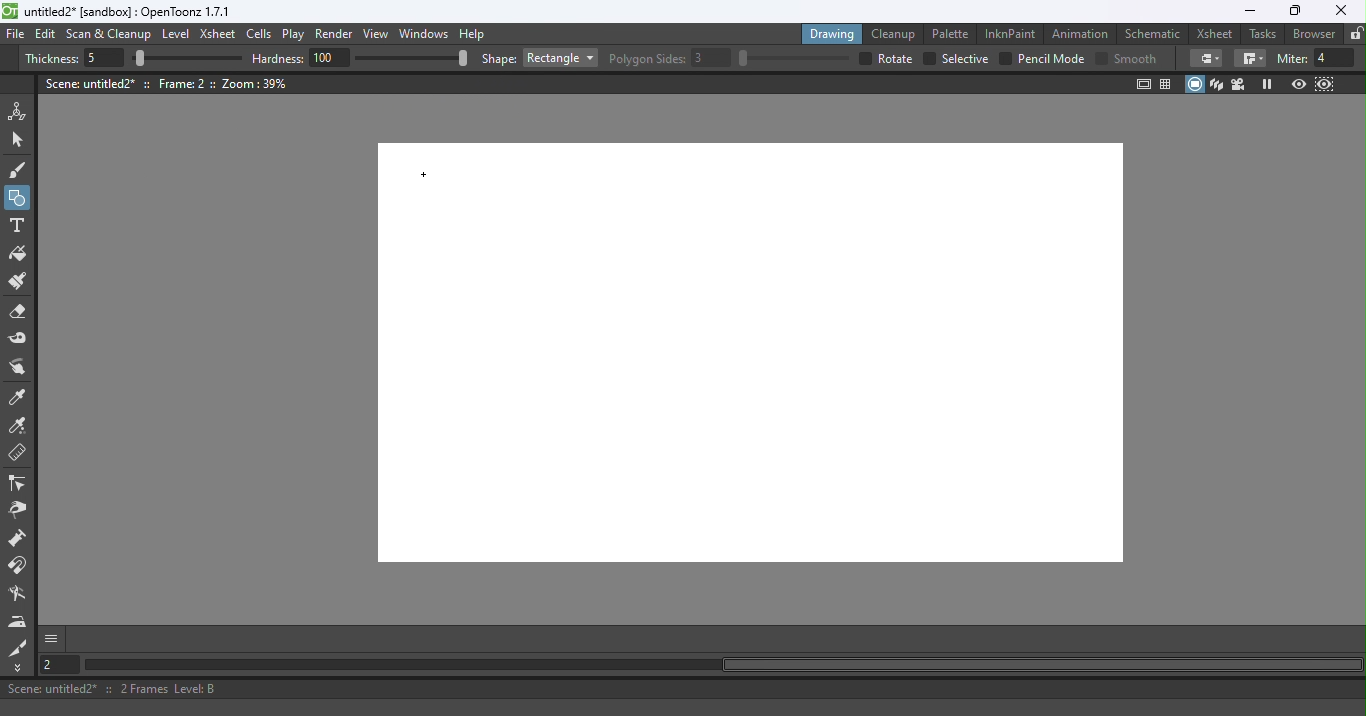 This screenshot has height=716, width=1366. I want to click on Magnet tool, so click(19, 540).